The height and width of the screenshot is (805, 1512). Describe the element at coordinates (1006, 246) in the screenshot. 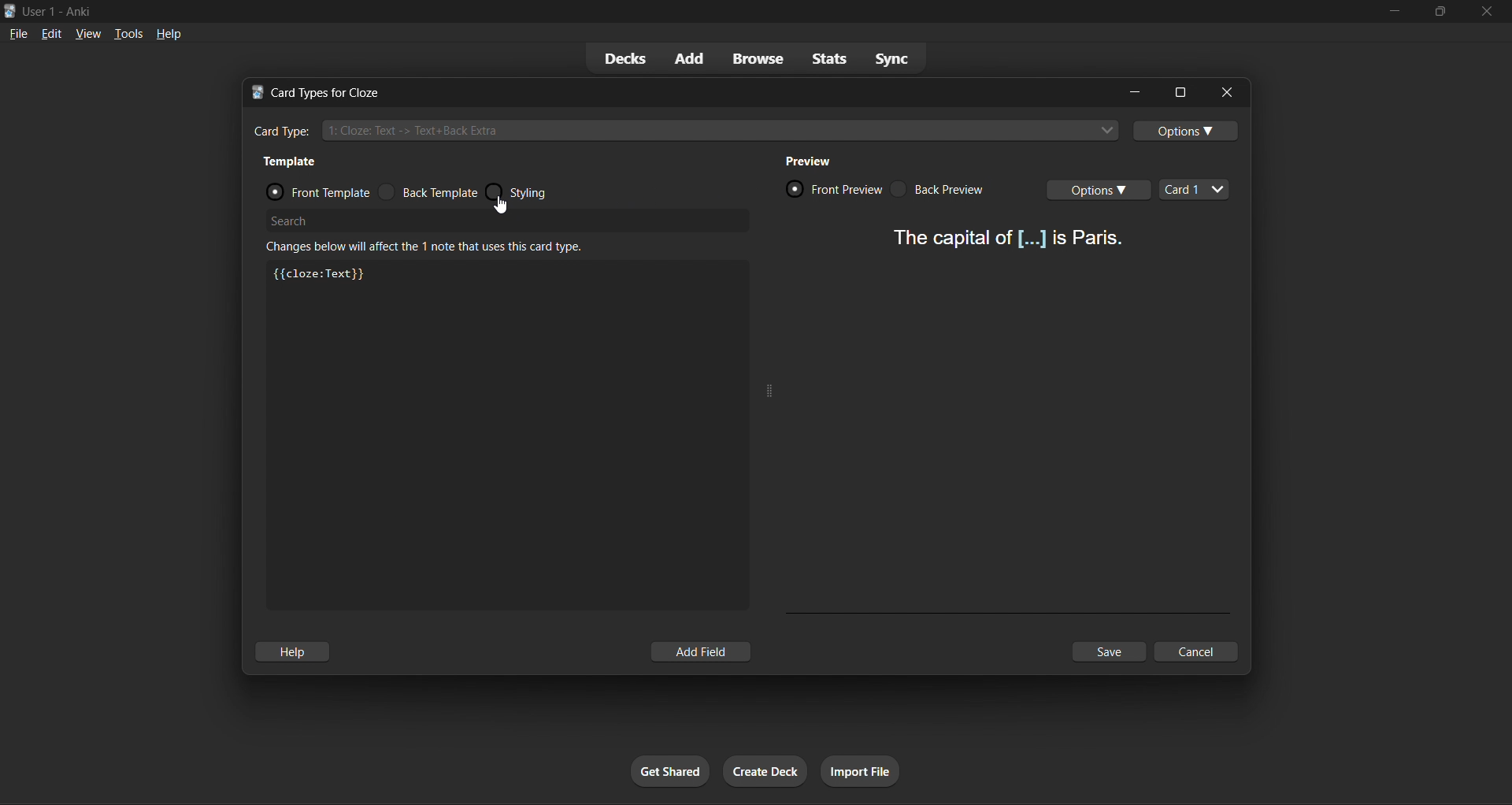

I see `card preview` at that location.